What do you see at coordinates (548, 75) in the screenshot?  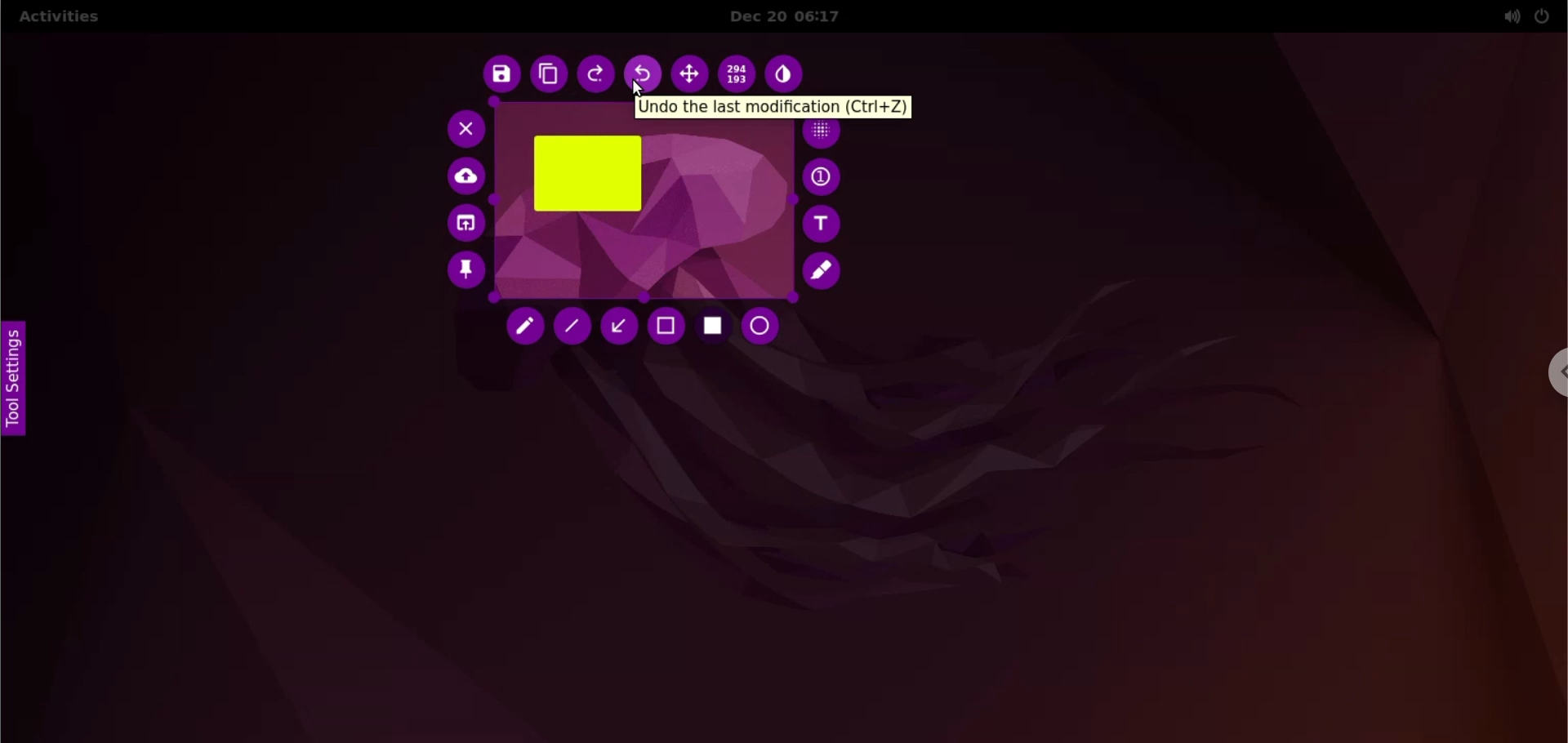 I see `copy to clipboard` at bounding box center [548, 75].